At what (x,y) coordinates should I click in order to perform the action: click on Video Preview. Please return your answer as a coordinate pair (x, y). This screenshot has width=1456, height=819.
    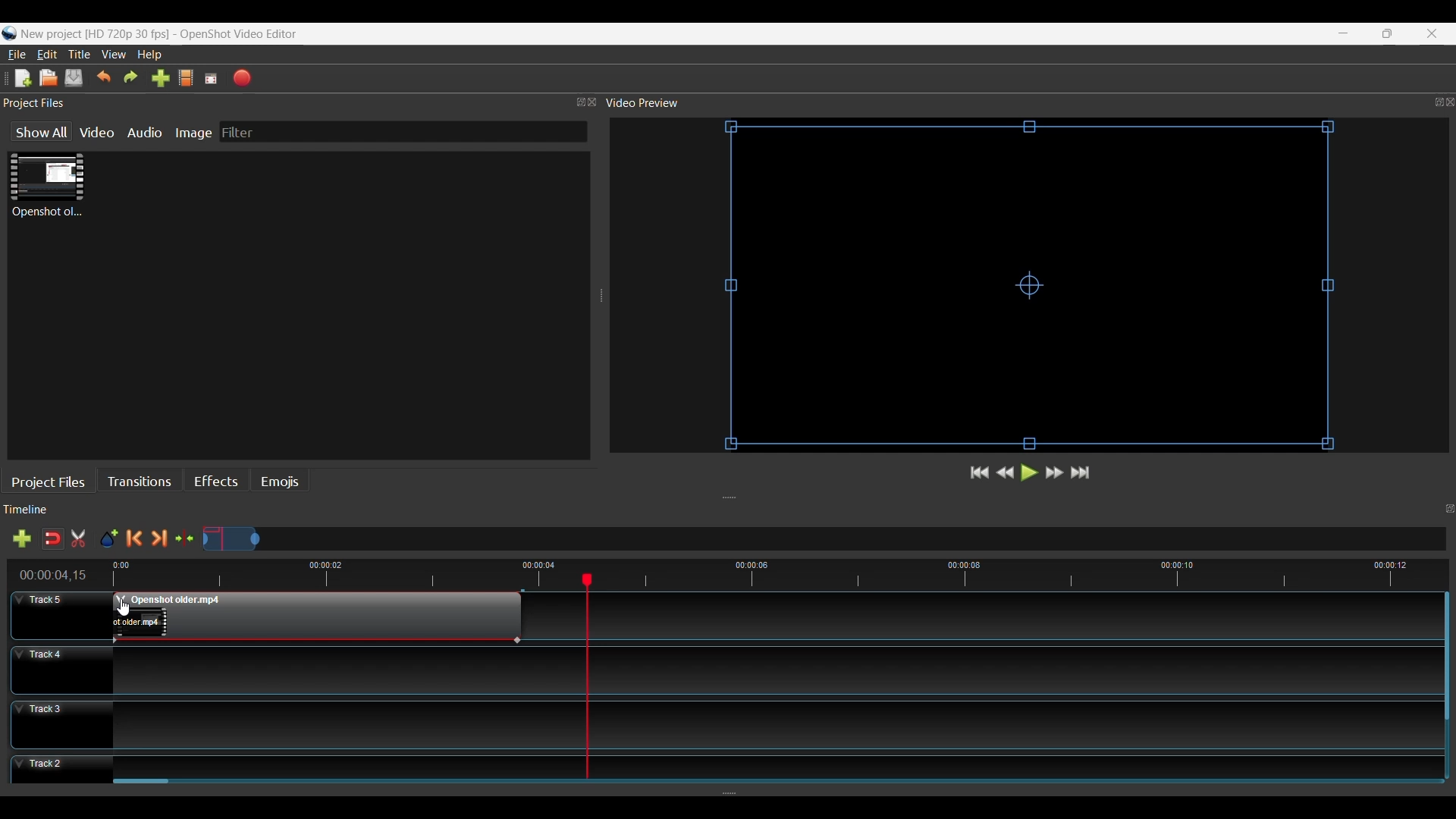
    Looking at the image, I should click on (1029, 103).